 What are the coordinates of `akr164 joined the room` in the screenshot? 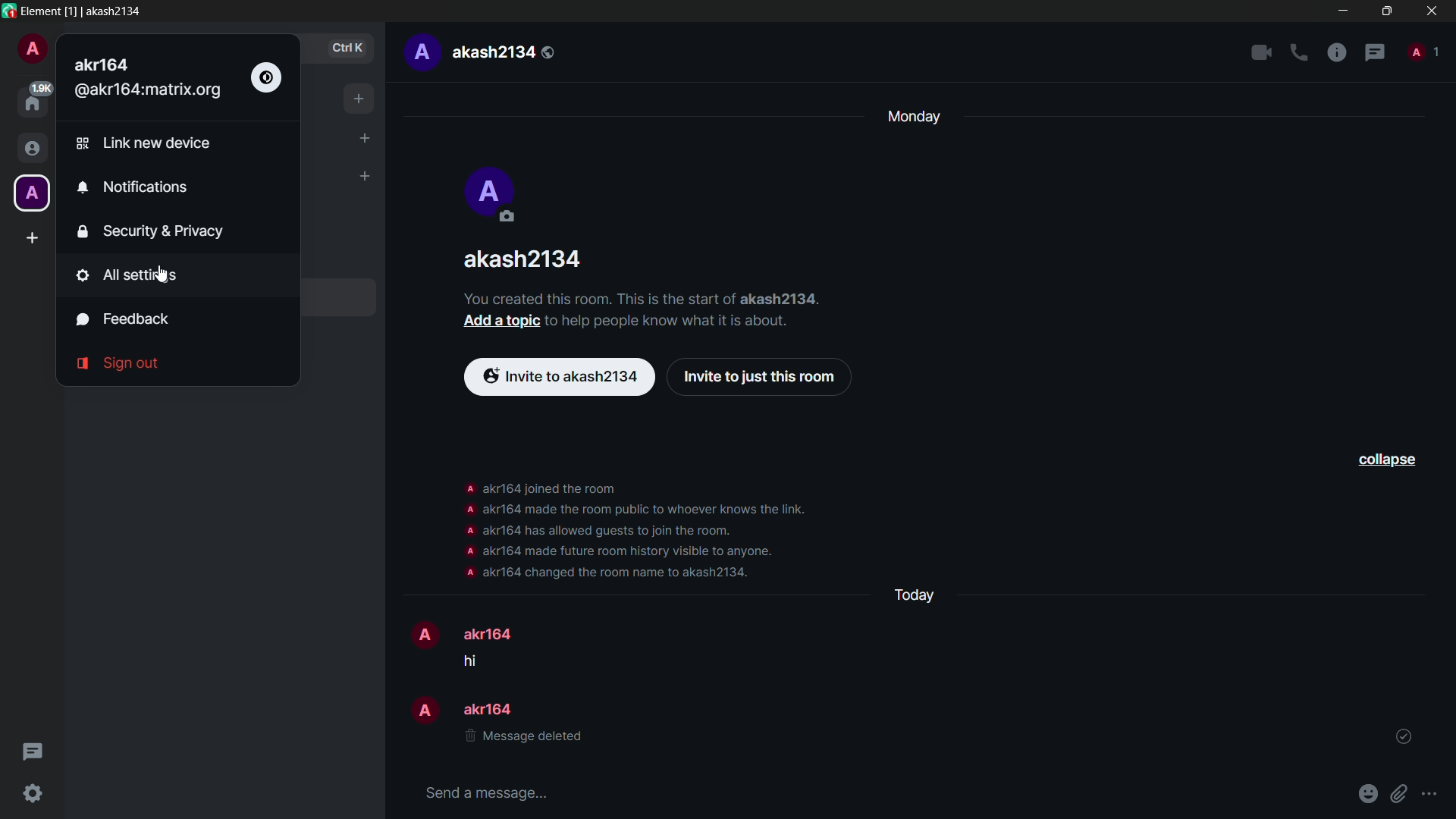 It's located at (550, 488).